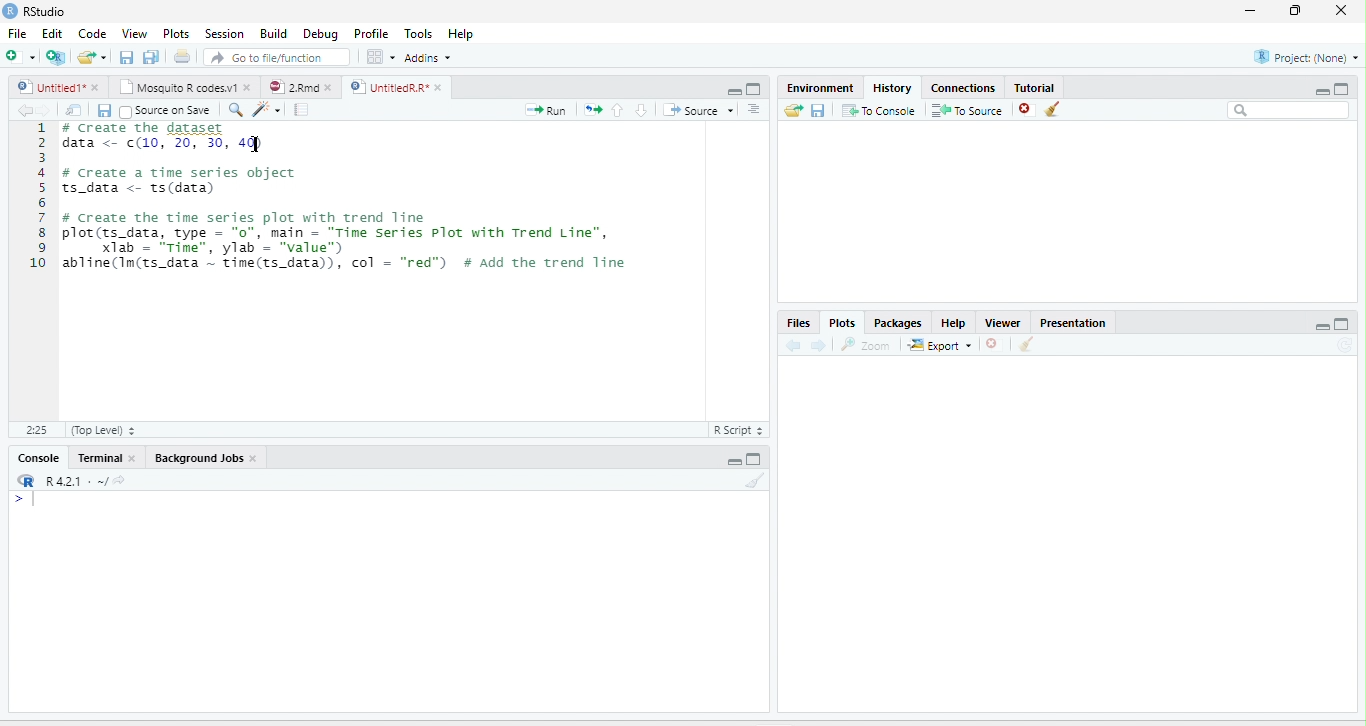 The height and width of the screenshot is (726, 1366). What do you see at coordinates (897, 322) in the screenshot?
I see `Packages` at bounding box center [897, 322].